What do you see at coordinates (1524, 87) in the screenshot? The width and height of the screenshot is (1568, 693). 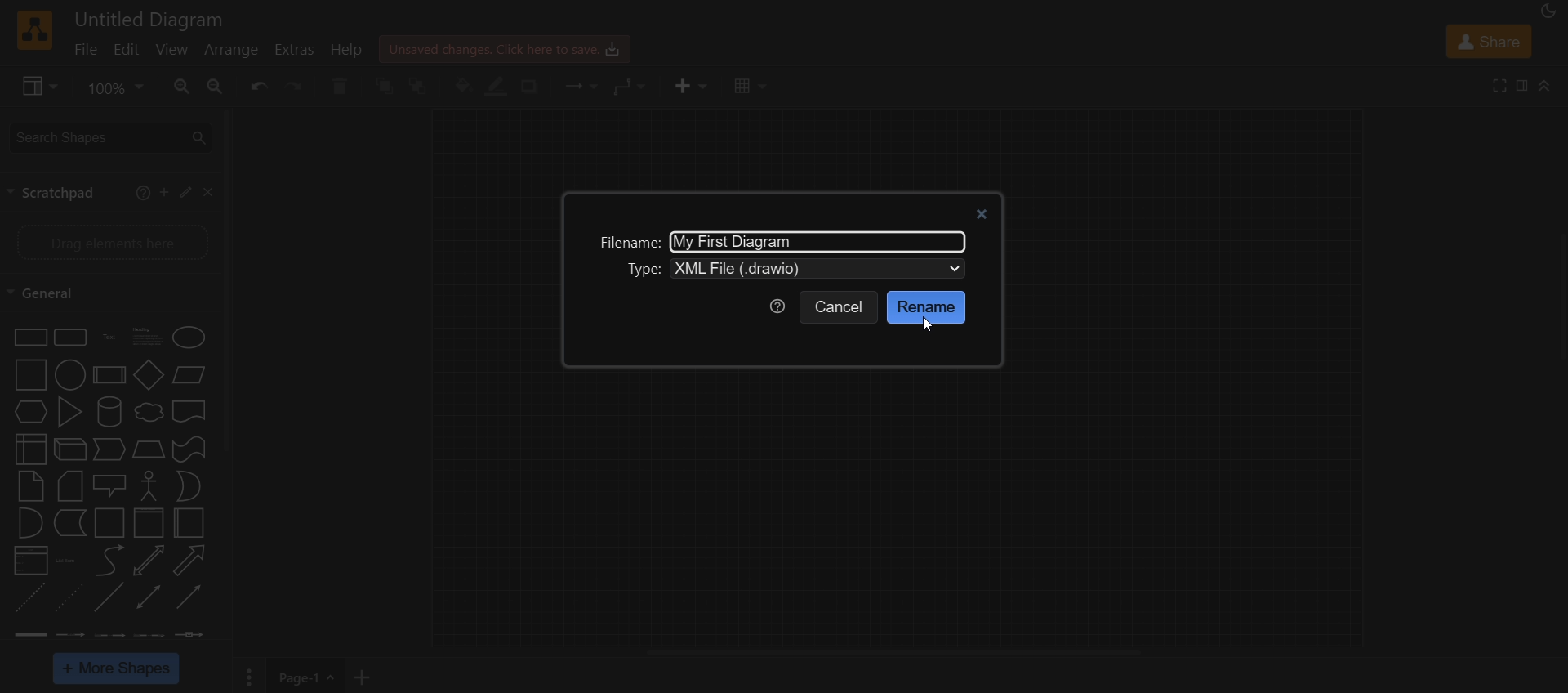 I see `format` at bounding box center [1524, 87].